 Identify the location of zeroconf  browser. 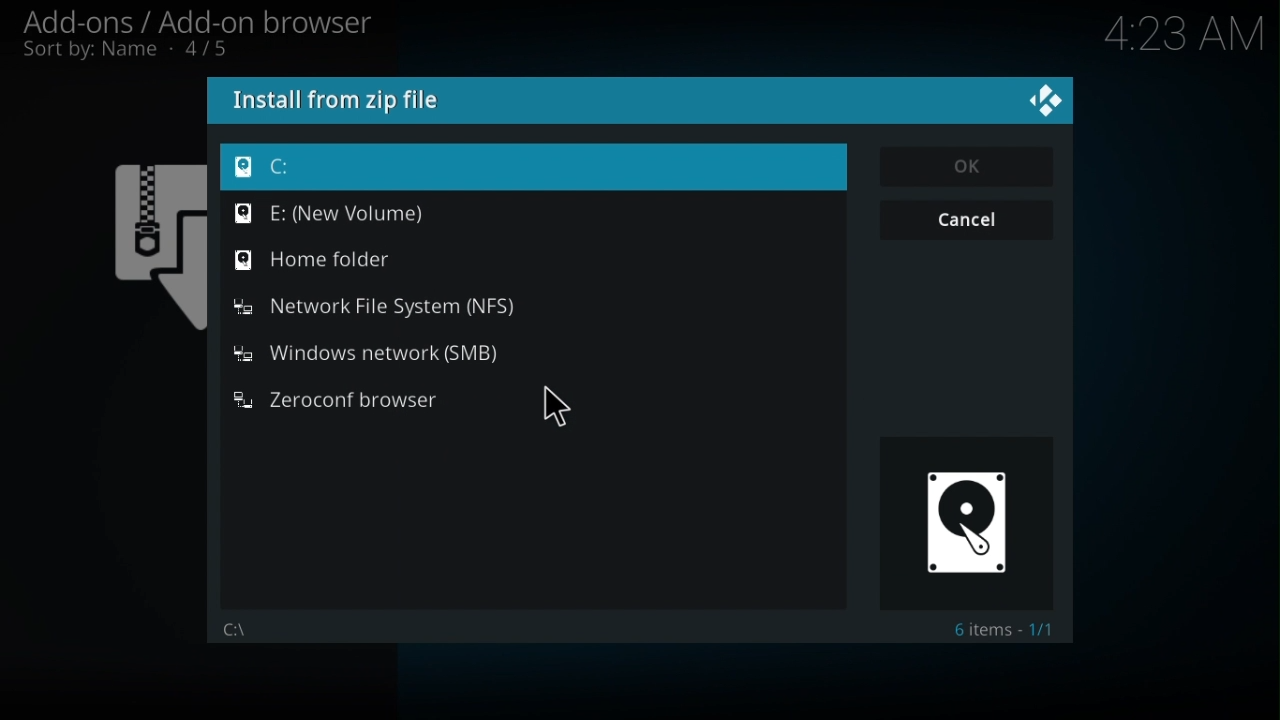
(359, 399).